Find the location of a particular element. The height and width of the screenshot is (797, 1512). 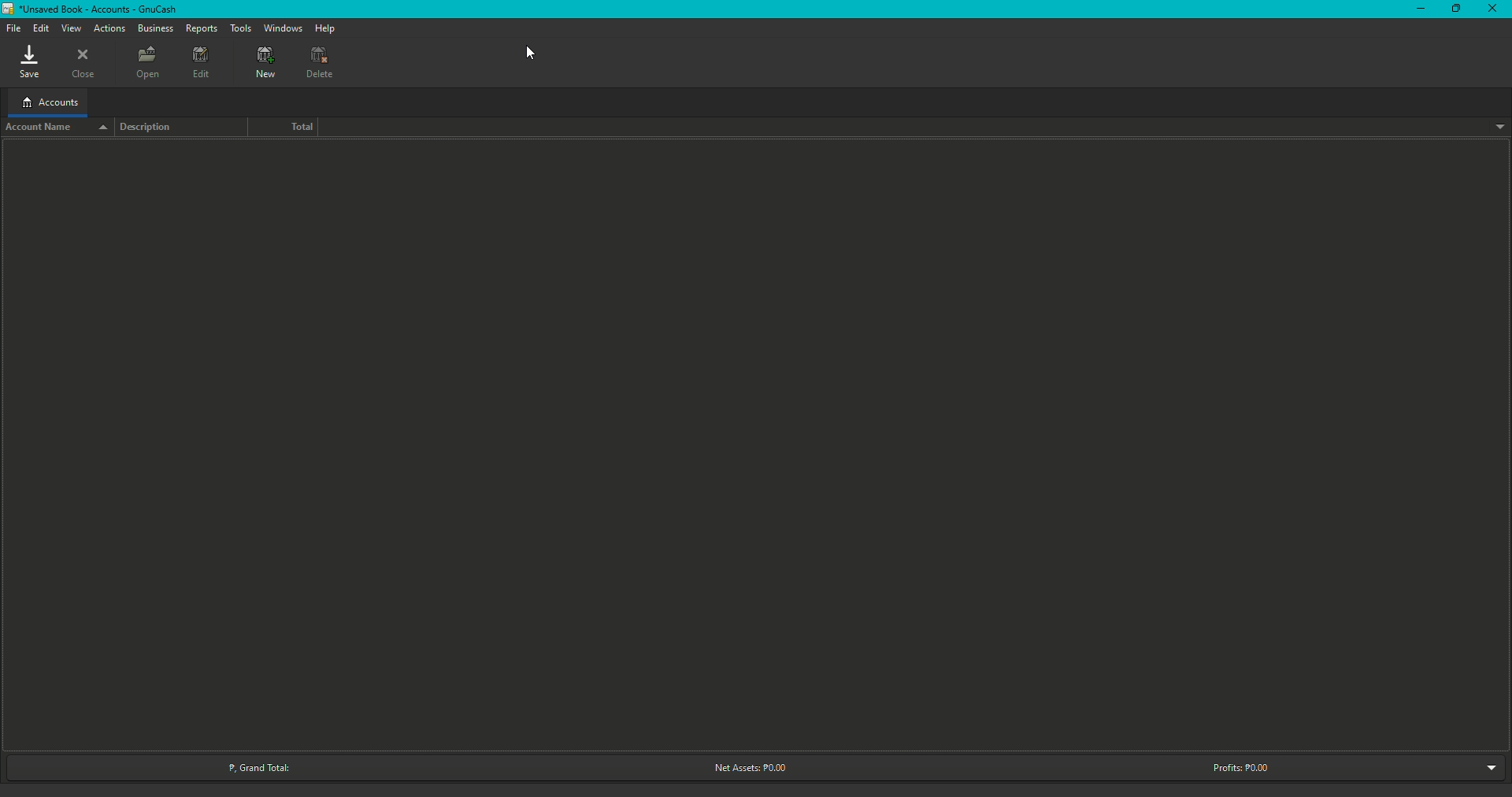

Restore is located at coordinates (1454, 8).